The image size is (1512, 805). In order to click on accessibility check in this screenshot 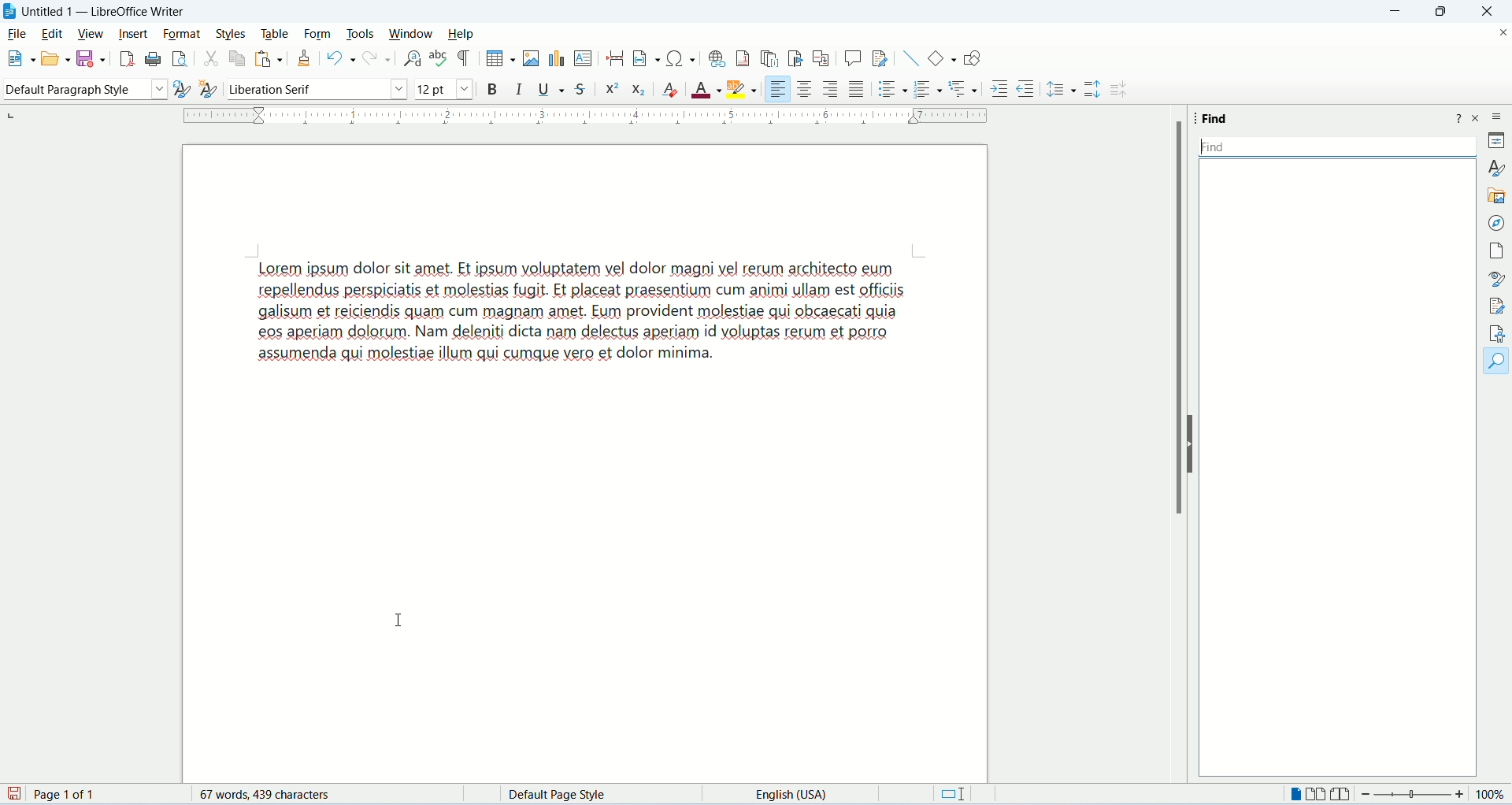, I will do `click(1498, 333)`.